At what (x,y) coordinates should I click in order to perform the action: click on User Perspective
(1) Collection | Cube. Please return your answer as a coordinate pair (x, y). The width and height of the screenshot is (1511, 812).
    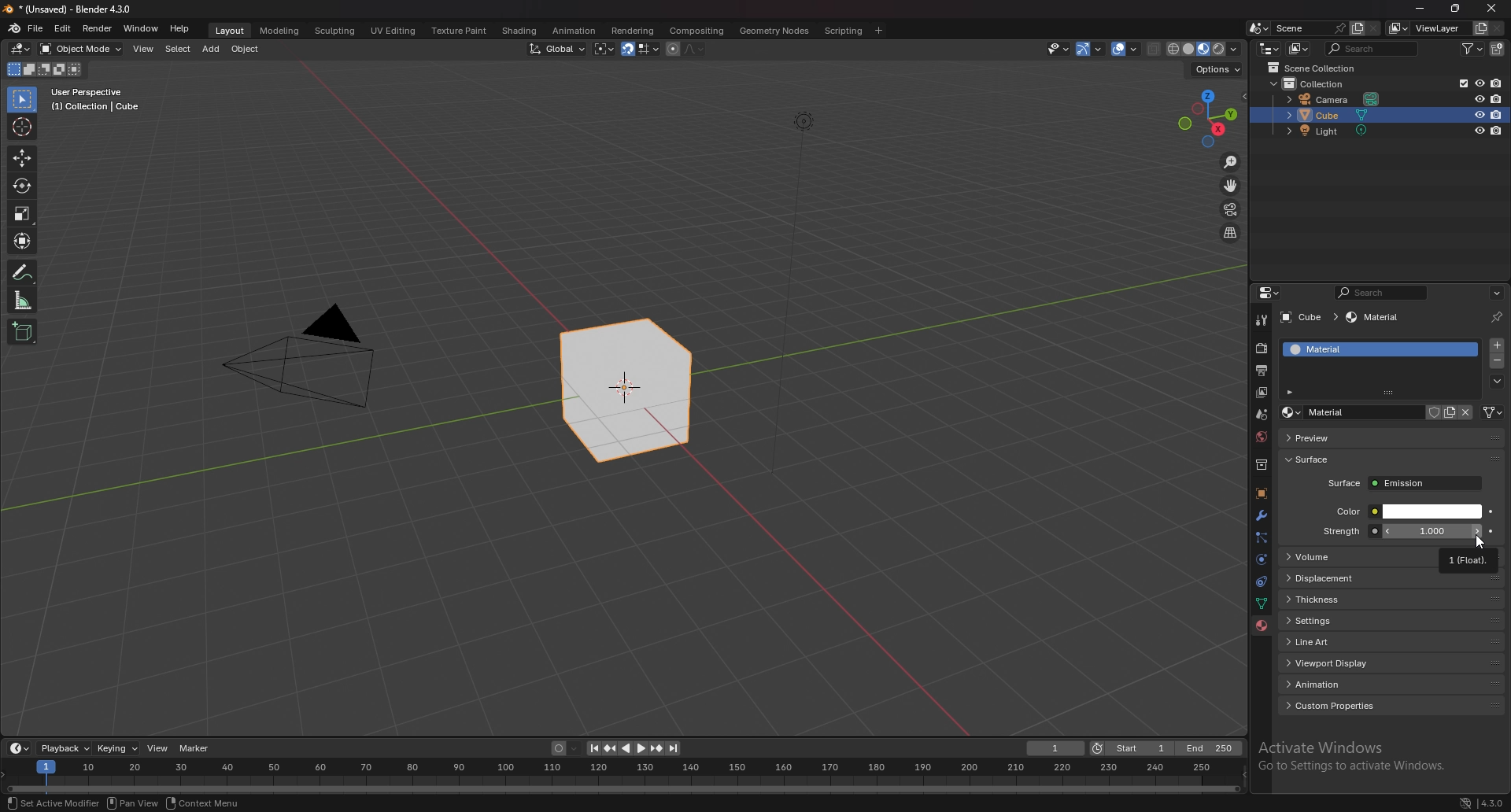
    Looking at the image, I should click on (100, 101).